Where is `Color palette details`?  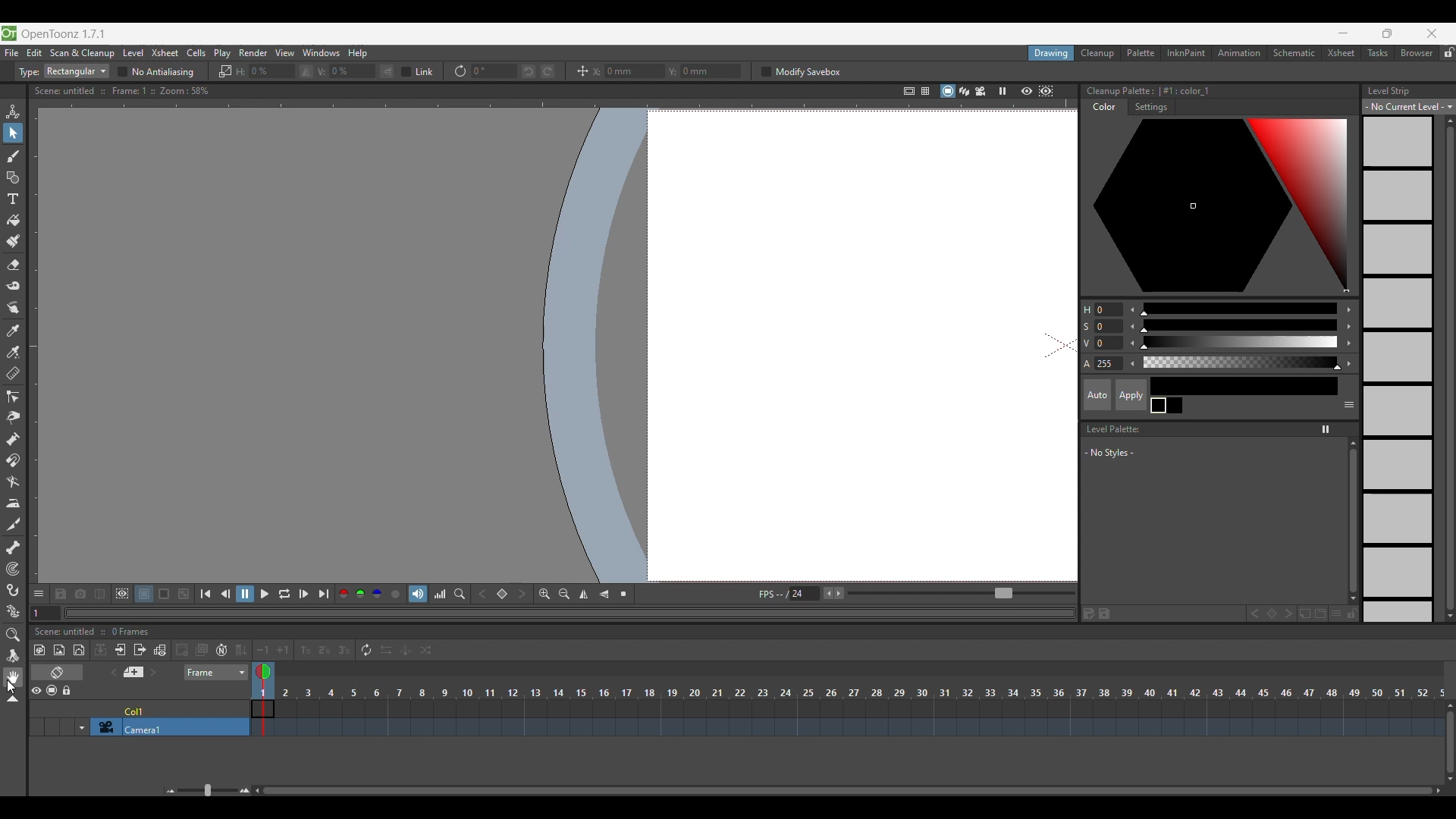 Color palette details is located at coordinates (1158, 91).